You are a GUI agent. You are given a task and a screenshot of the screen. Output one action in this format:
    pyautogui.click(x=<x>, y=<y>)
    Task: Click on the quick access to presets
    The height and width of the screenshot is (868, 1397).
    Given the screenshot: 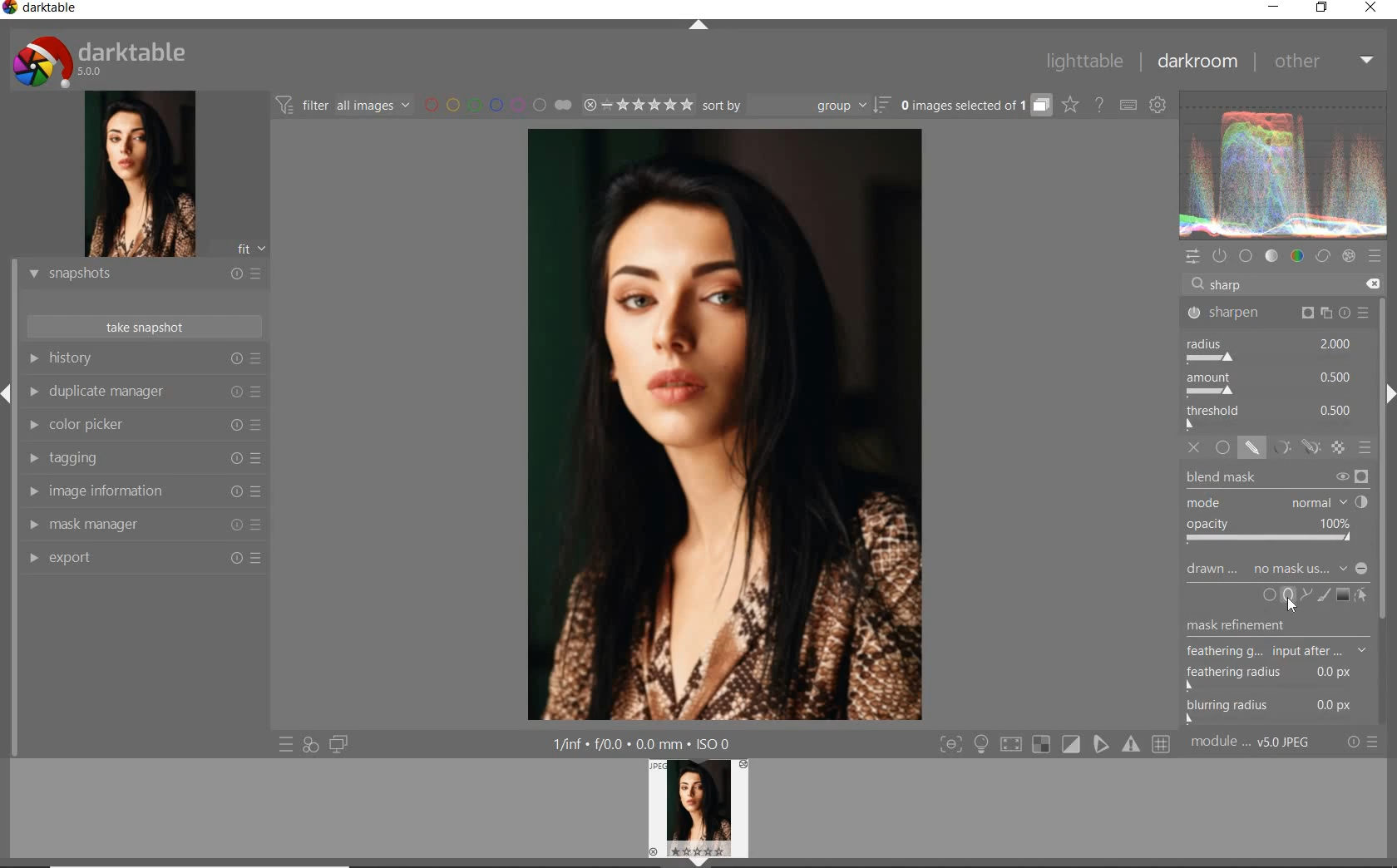 What is the action you would take?
    pyautogui.click(x=287, y=744)
    